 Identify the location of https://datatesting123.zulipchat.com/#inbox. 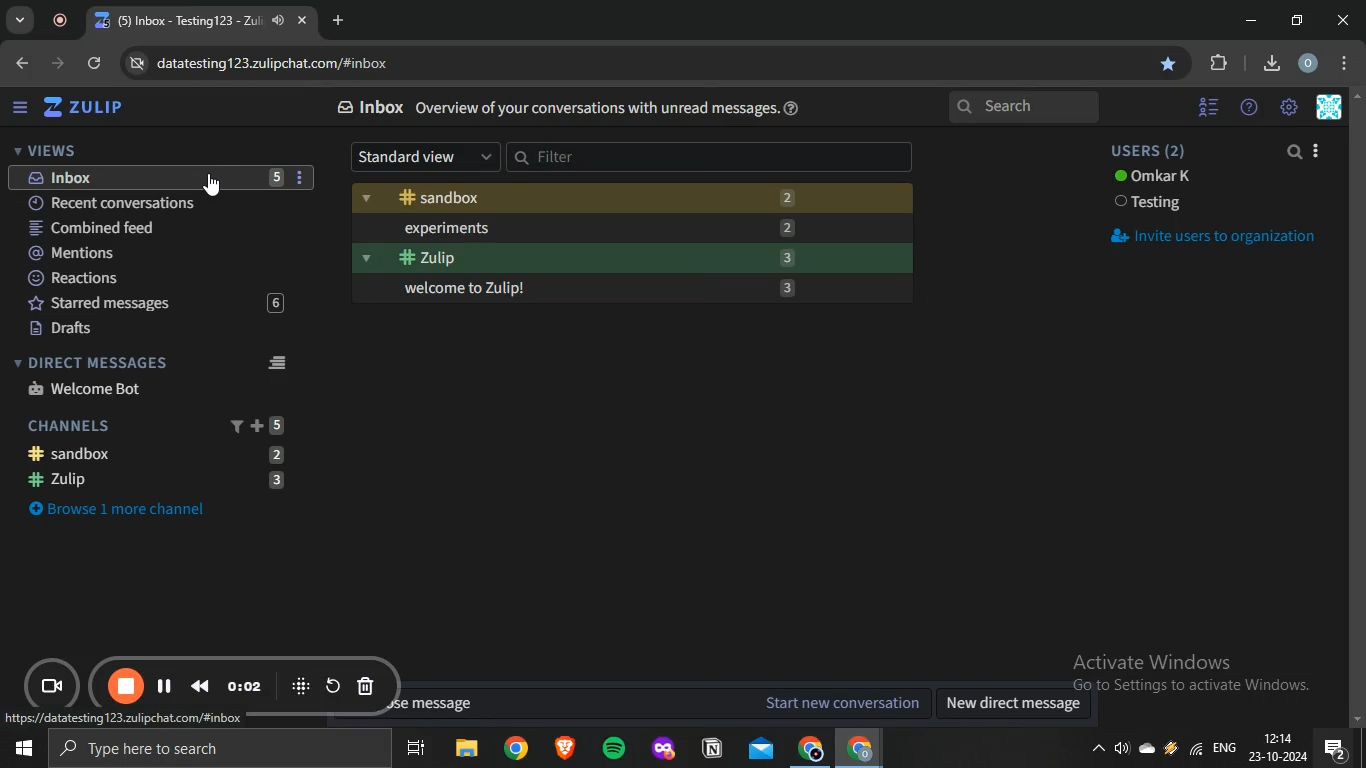
(123, 719).